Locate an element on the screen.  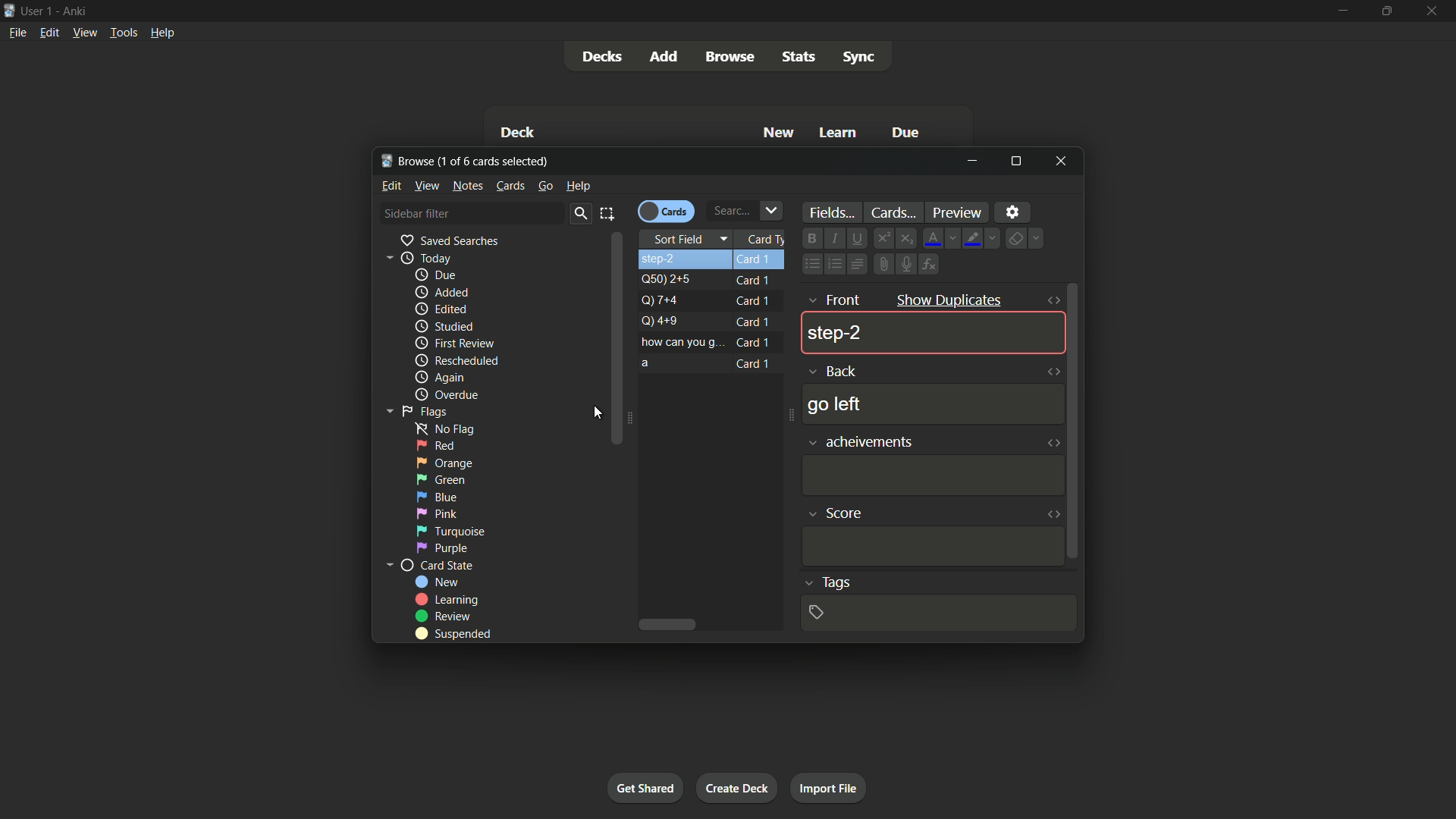
File menu is located at coordinates (16, 35).